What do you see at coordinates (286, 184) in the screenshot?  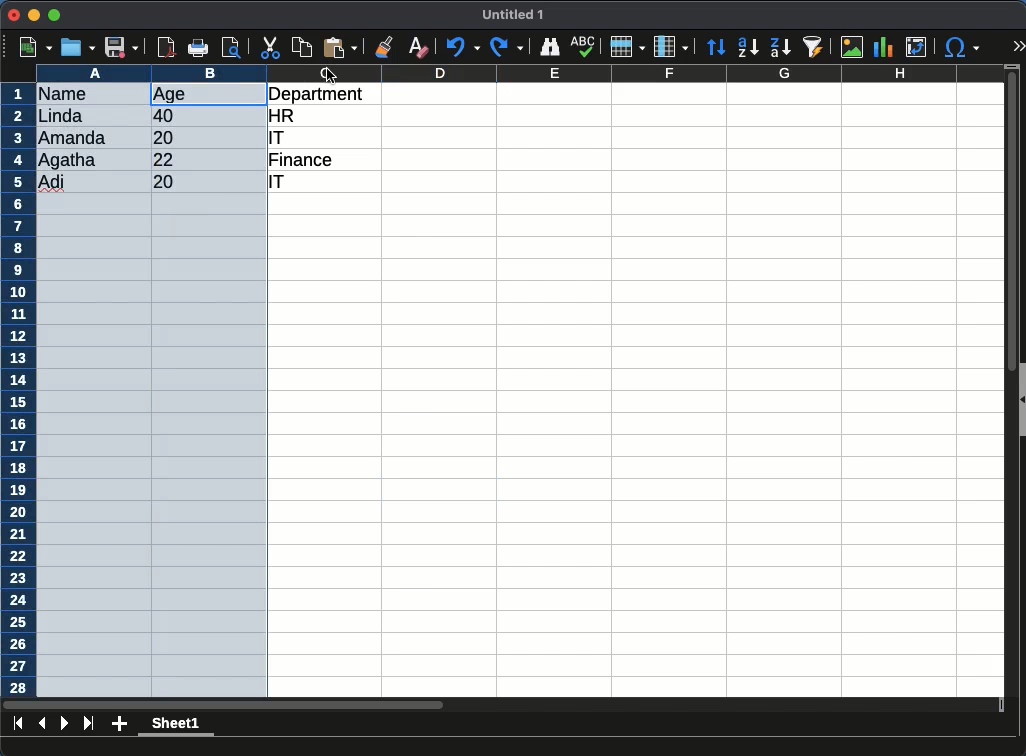 I see `it` at bounding box center [286, 184].